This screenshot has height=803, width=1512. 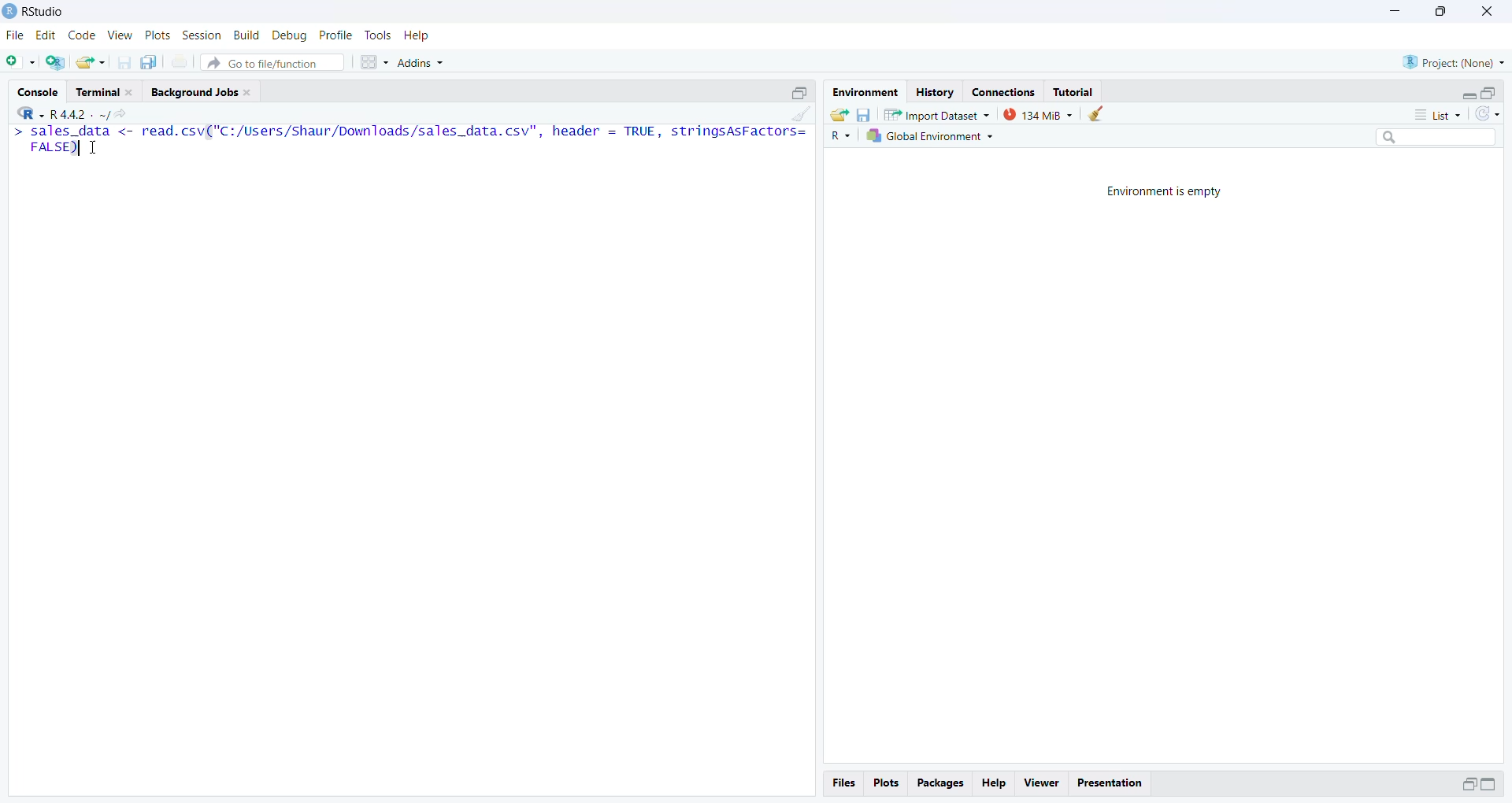 What do you see at coordinates (93, 62) in the screenshot?
I see `Open an existing file(Ctrl+o)` at bounding box center [93, 62].